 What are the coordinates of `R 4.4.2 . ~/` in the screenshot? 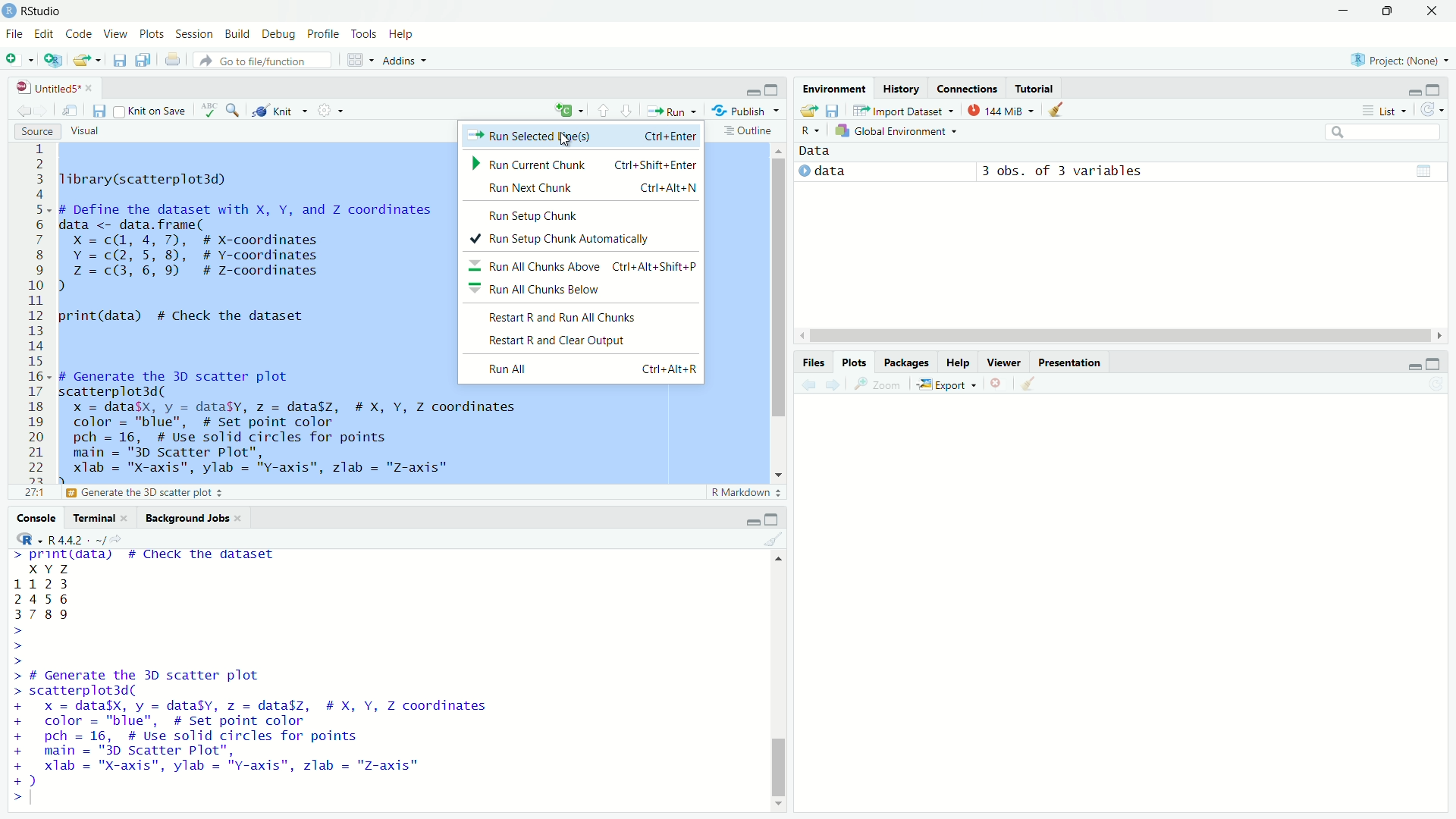 It's located at (77, 540).